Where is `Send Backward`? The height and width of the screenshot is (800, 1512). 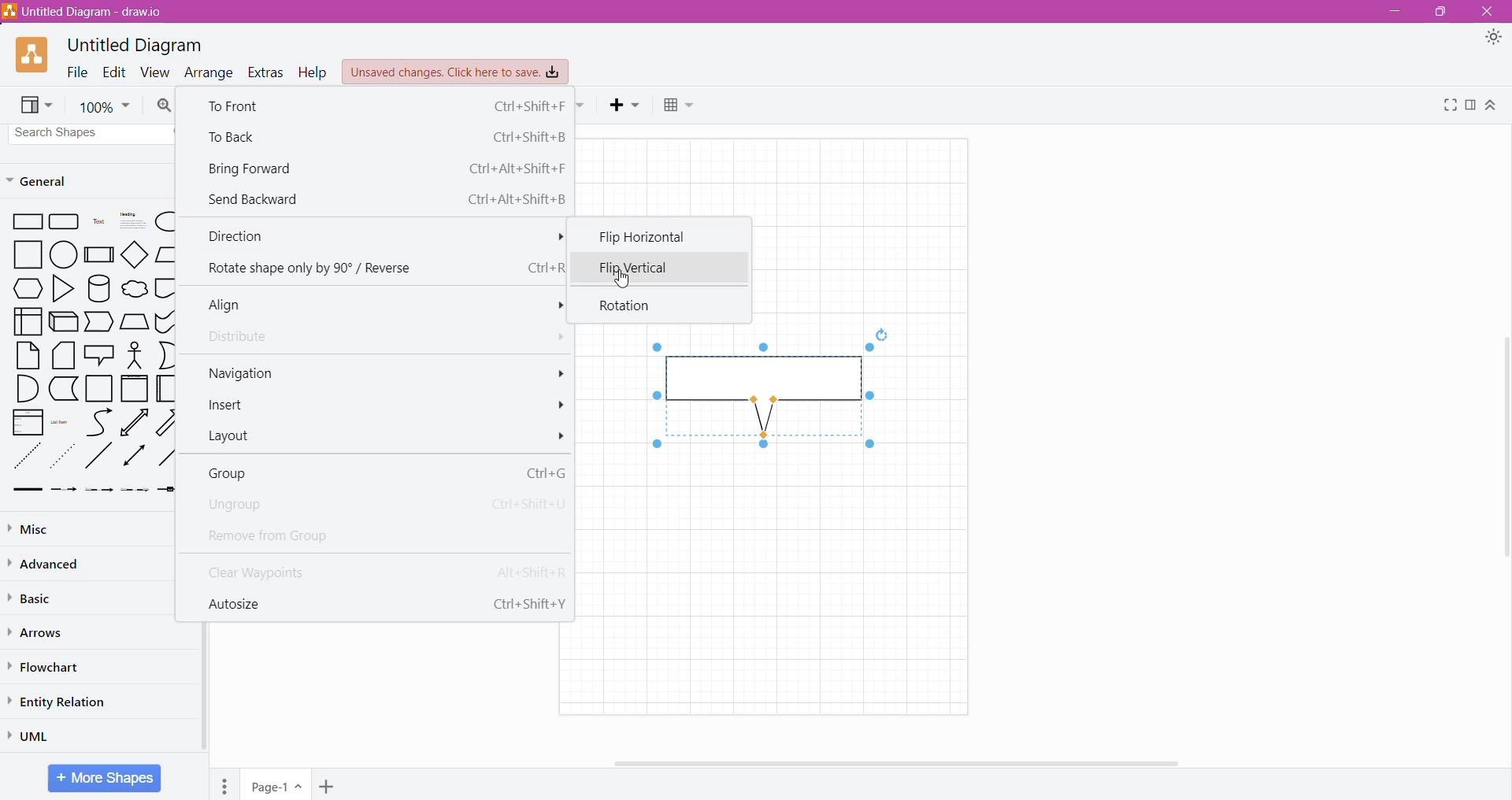
Send Backward is located at coordinates (385, 198).